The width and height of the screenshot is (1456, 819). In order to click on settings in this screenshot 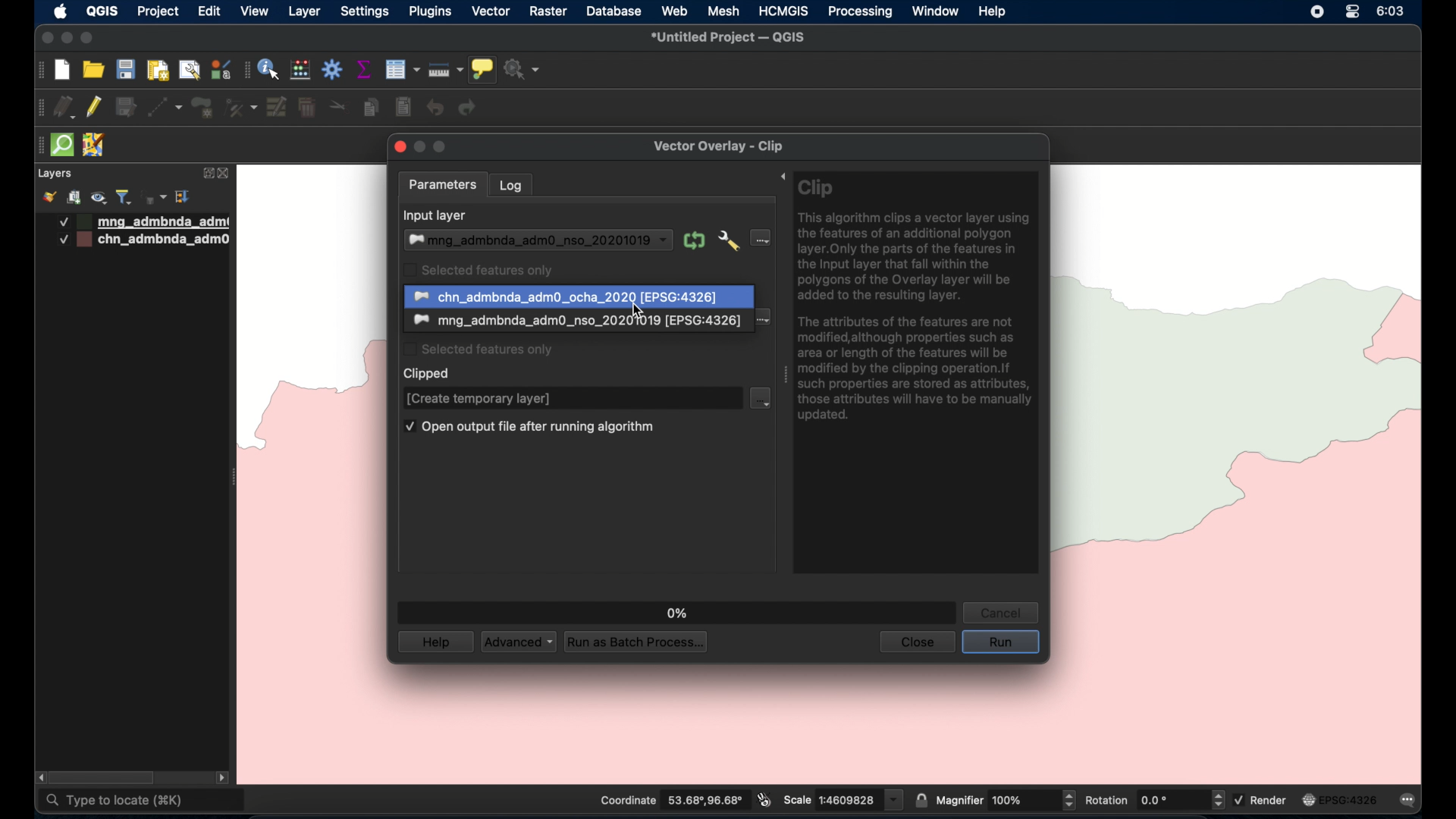, I will do `click(364, 13)`.